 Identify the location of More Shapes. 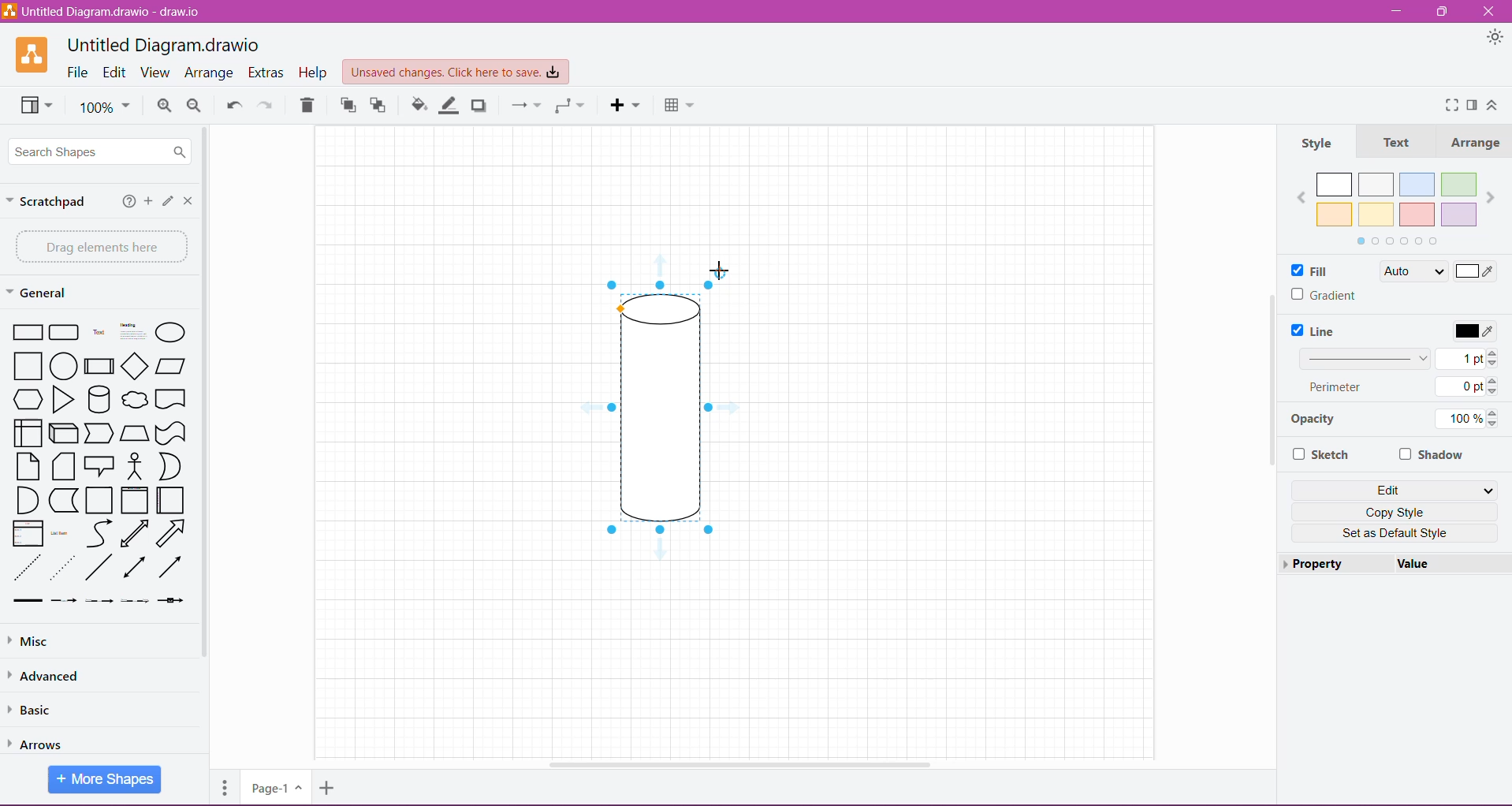
(106, 780).